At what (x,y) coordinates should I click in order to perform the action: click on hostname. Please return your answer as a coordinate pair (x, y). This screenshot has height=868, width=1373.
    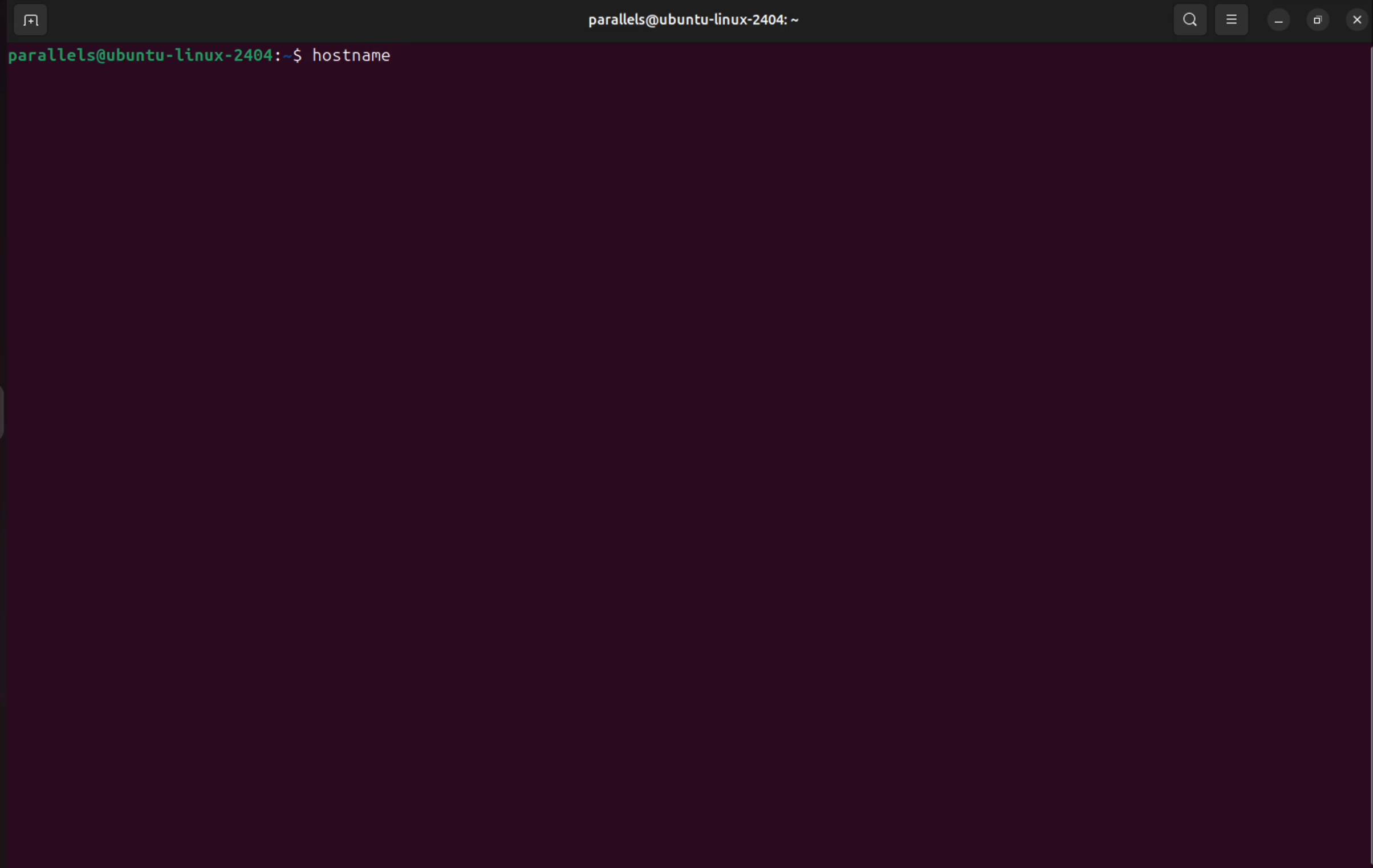
    Looking at the image, I should click on (363, 55).